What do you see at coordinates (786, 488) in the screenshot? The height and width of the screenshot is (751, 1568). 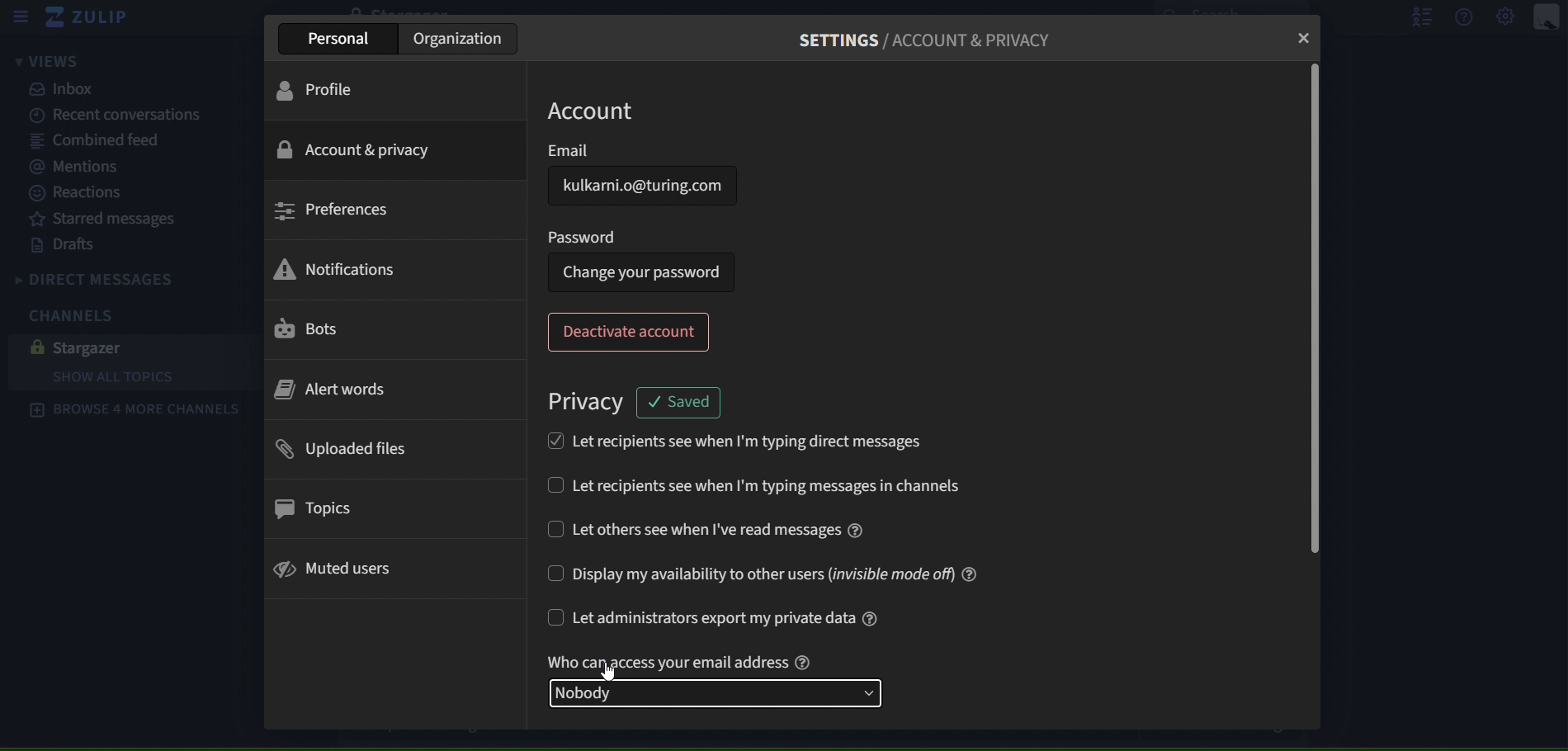 I see `let recipients see when I'm typing messages in channels` at bounding box center [786, 488].